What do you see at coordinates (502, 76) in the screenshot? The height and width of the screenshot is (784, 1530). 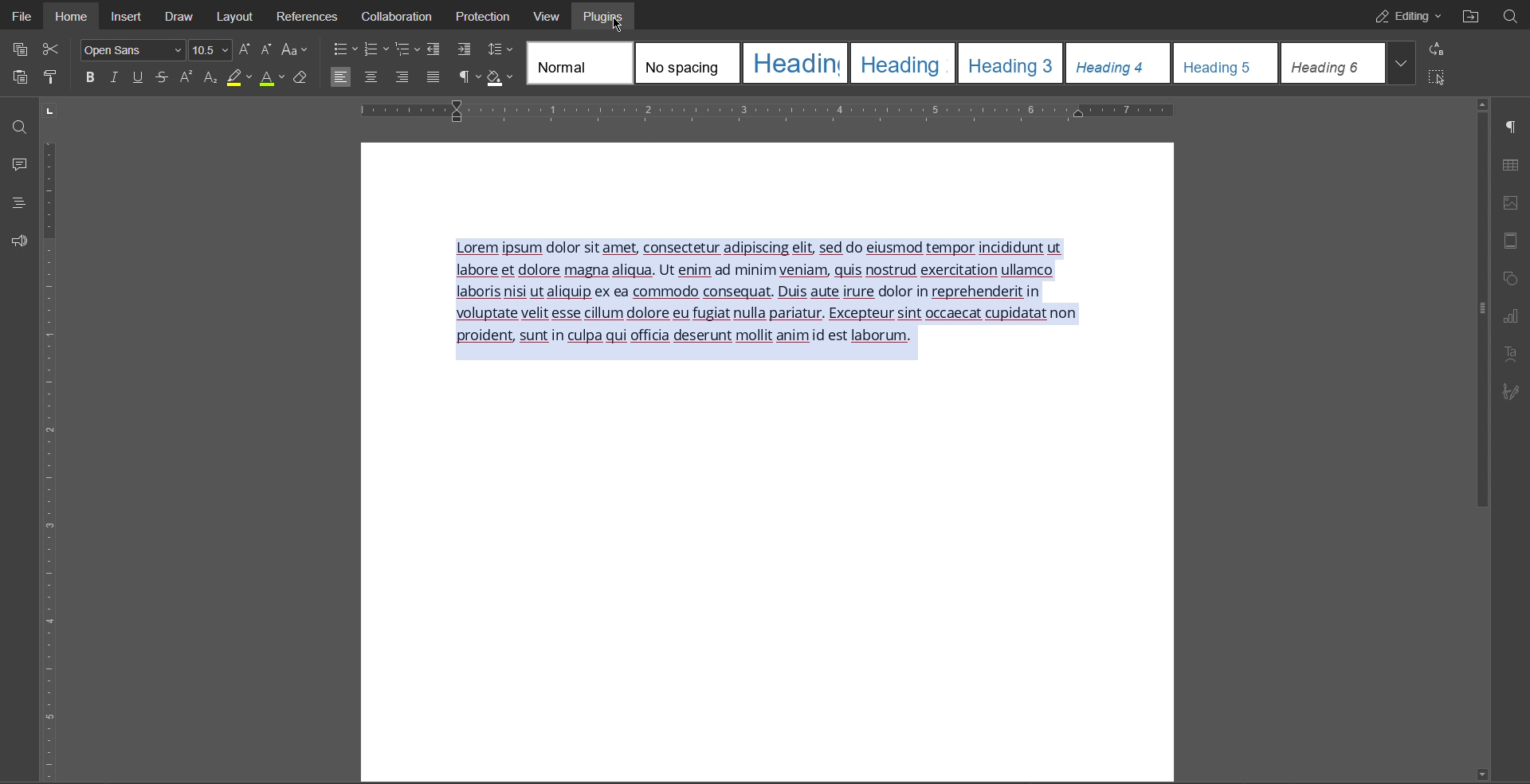 I see `Fill Color` at bounding box center [502, 76].